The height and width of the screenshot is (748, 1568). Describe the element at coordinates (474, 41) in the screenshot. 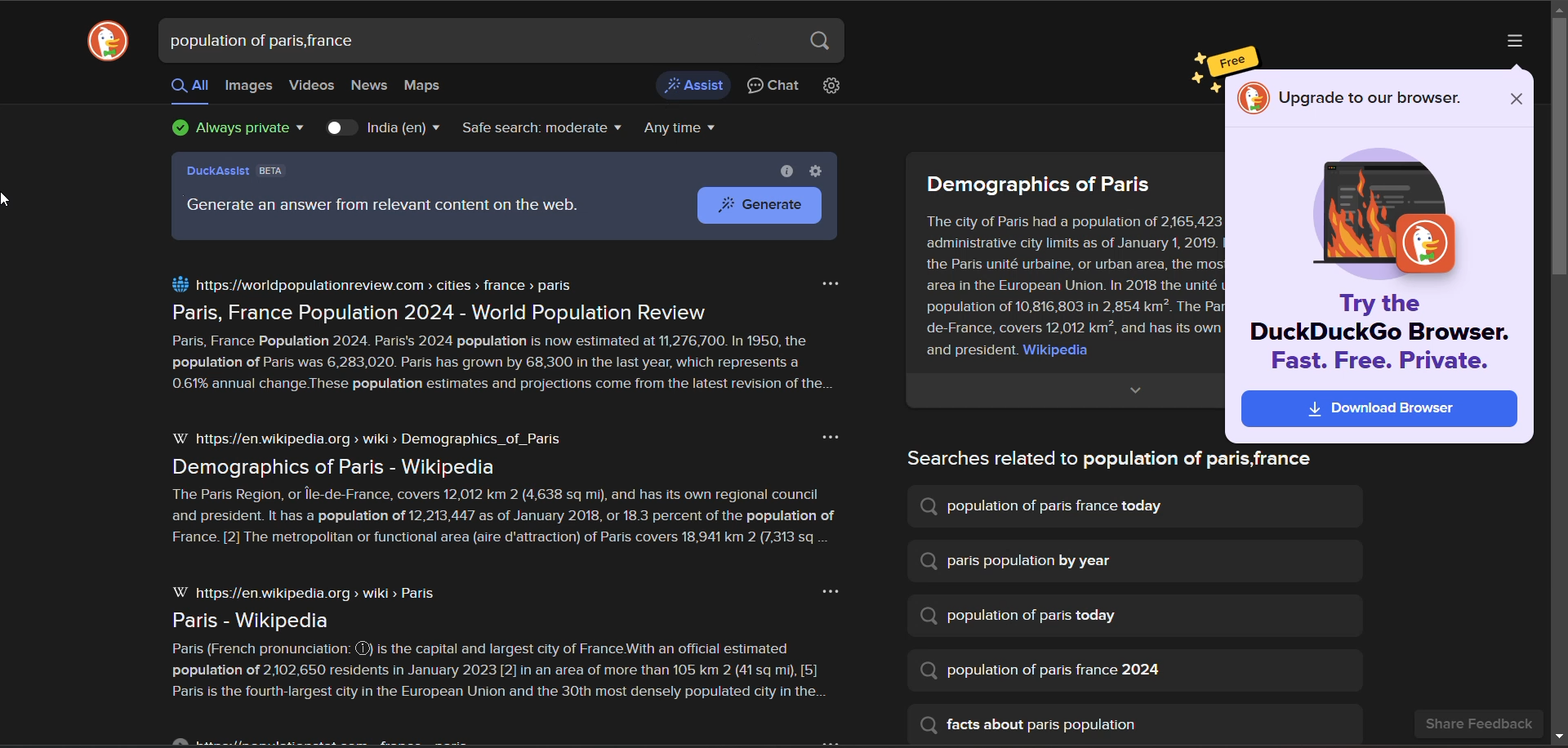

I see `search bar` at that location.